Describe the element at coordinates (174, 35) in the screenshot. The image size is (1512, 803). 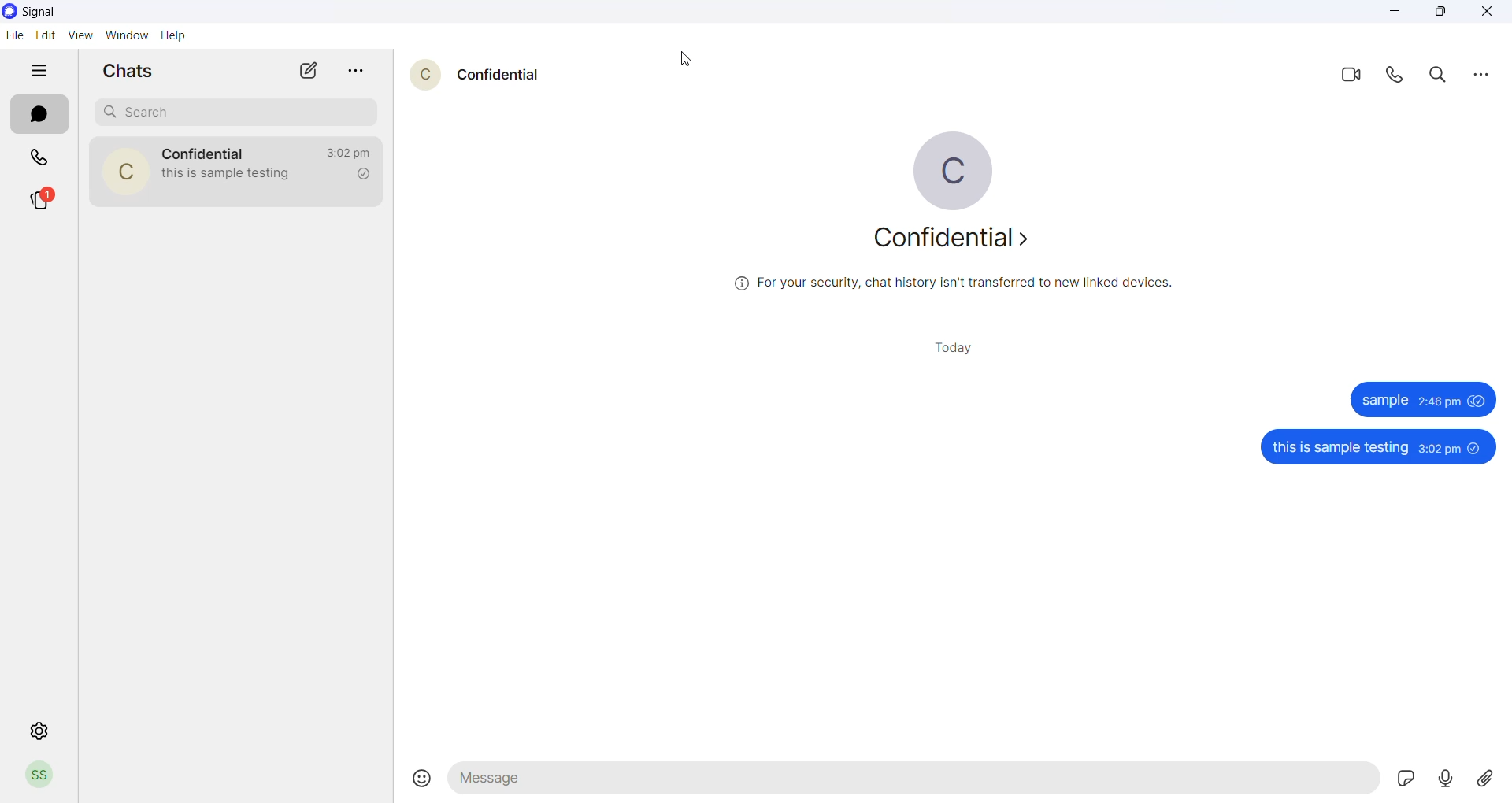
I see `help` at that location.